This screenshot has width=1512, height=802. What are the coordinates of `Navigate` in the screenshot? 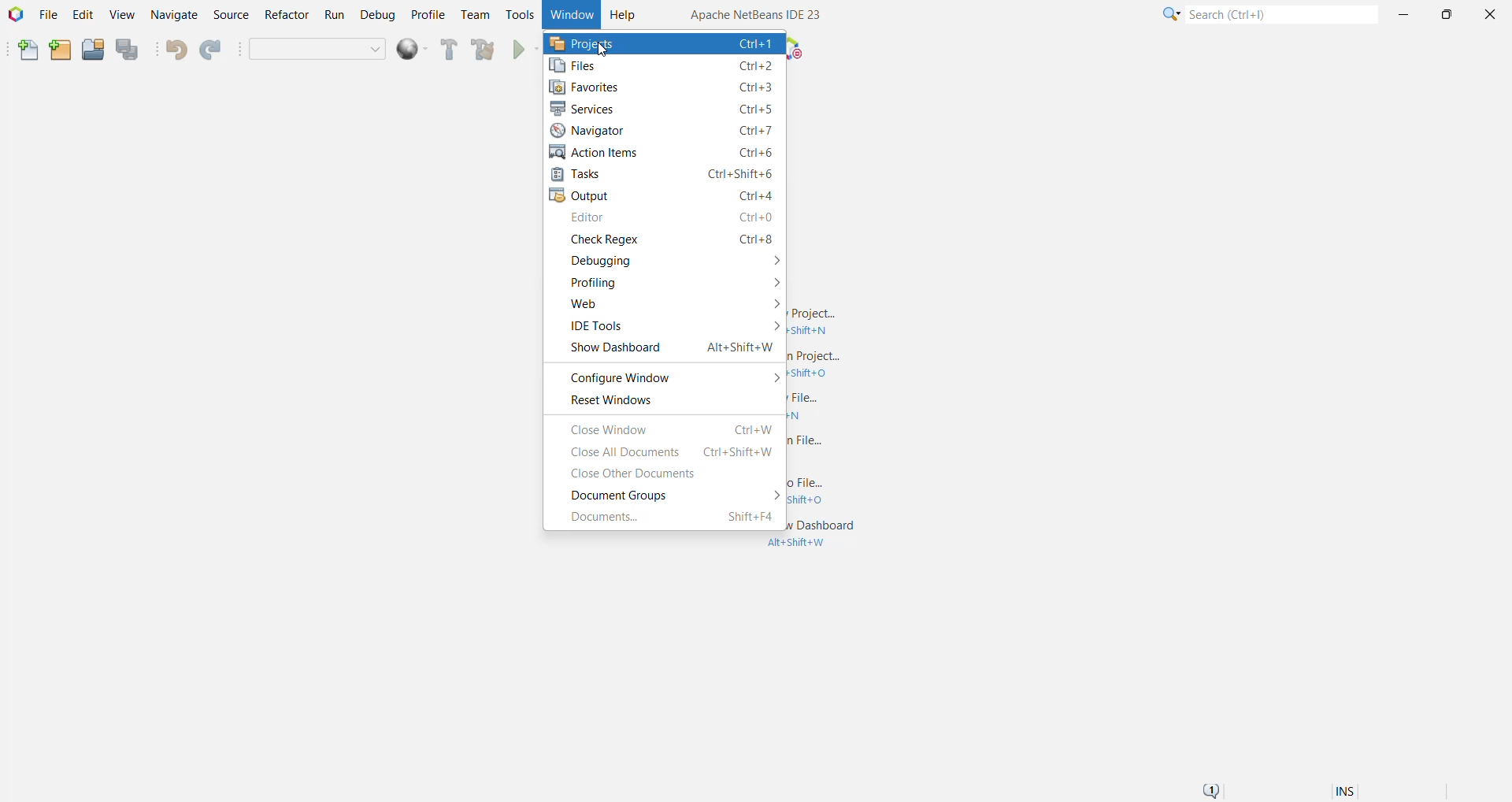 It's located at (172, 16).